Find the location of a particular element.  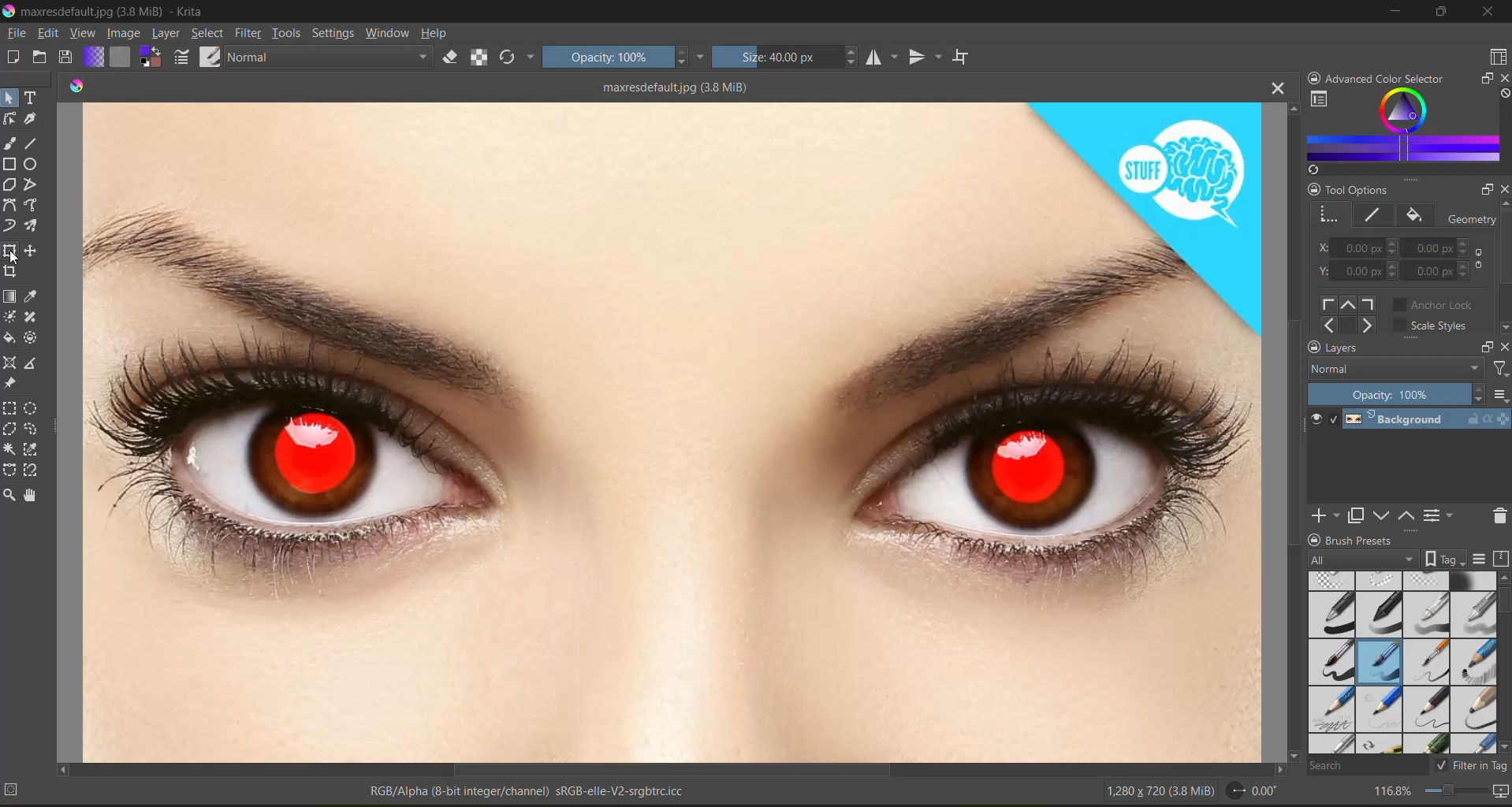

tool is located at coordinates (12, 338).